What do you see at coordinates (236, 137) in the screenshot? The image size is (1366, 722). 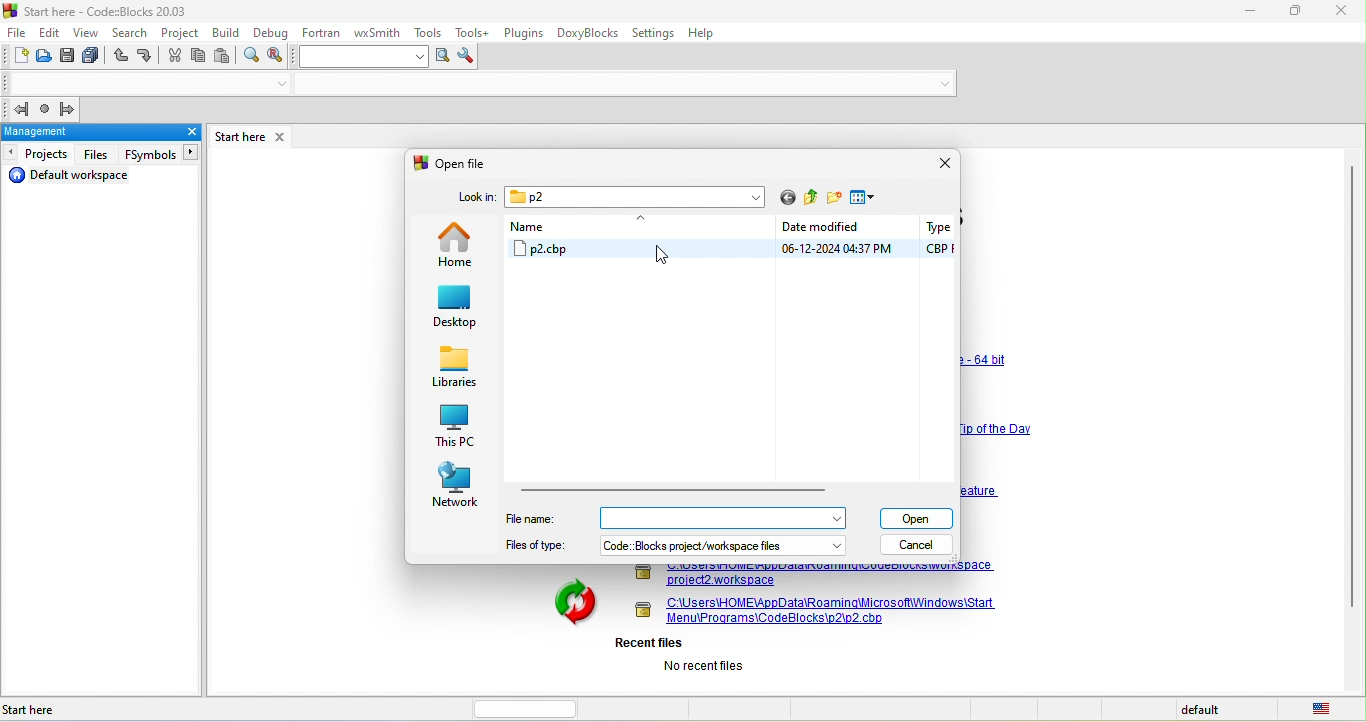 I see `start here` at bounding box center [236, 137].